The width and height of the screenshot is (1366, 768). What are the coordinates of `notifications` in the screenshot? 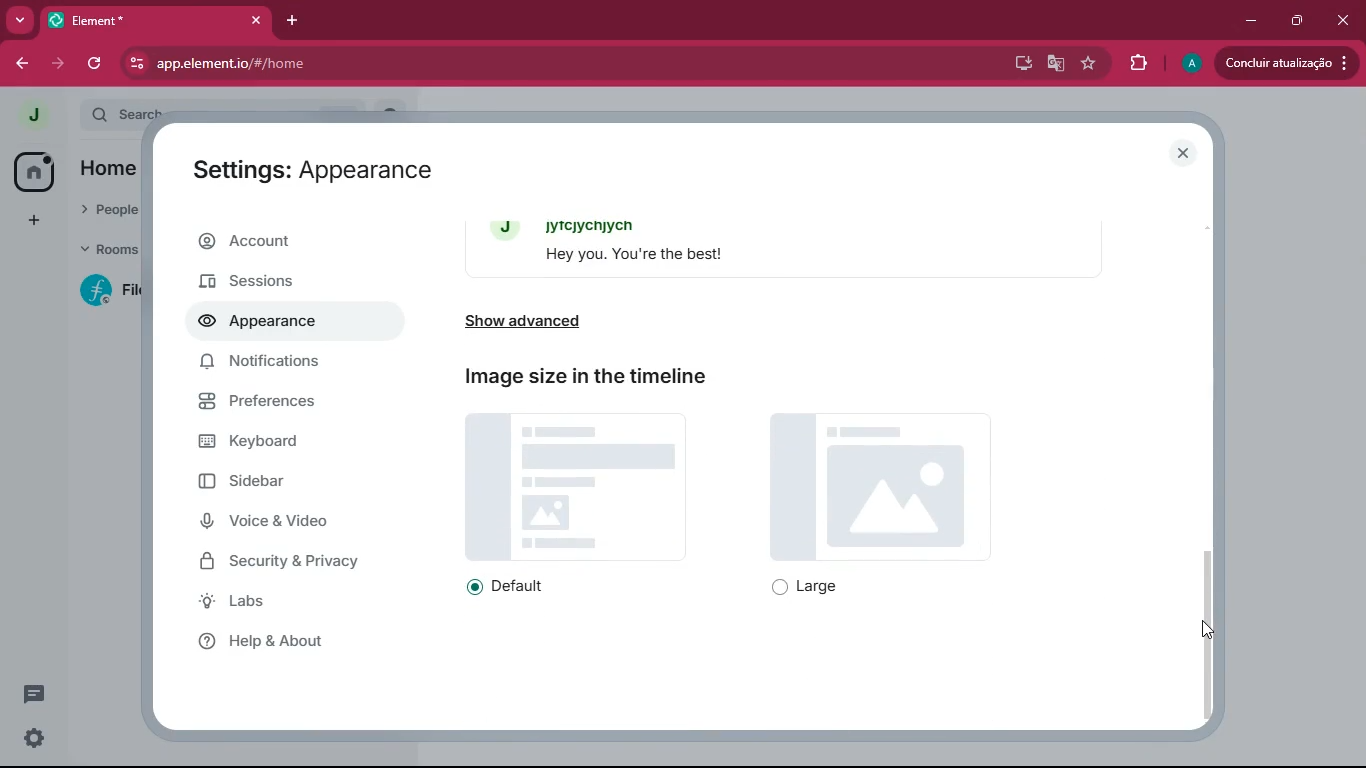 It's located at (271, 365).